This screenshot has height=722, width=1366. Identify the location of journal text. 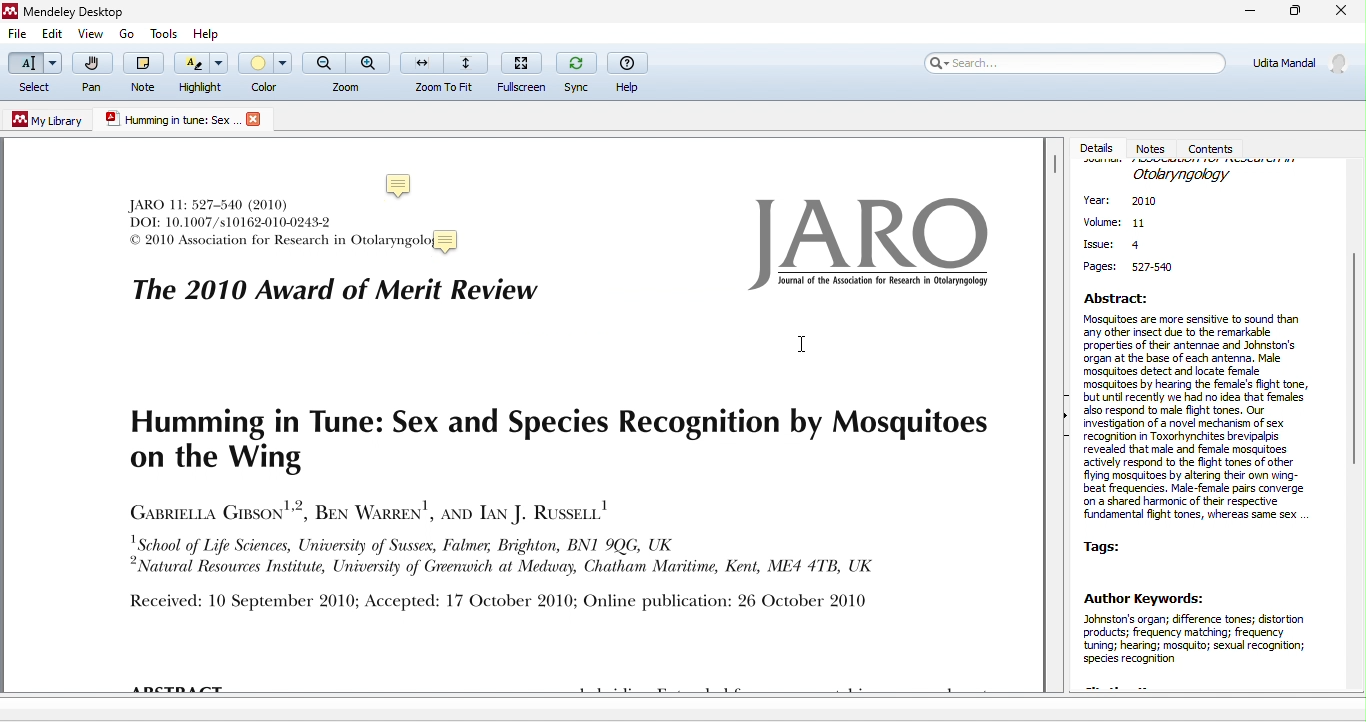
(540, 509).